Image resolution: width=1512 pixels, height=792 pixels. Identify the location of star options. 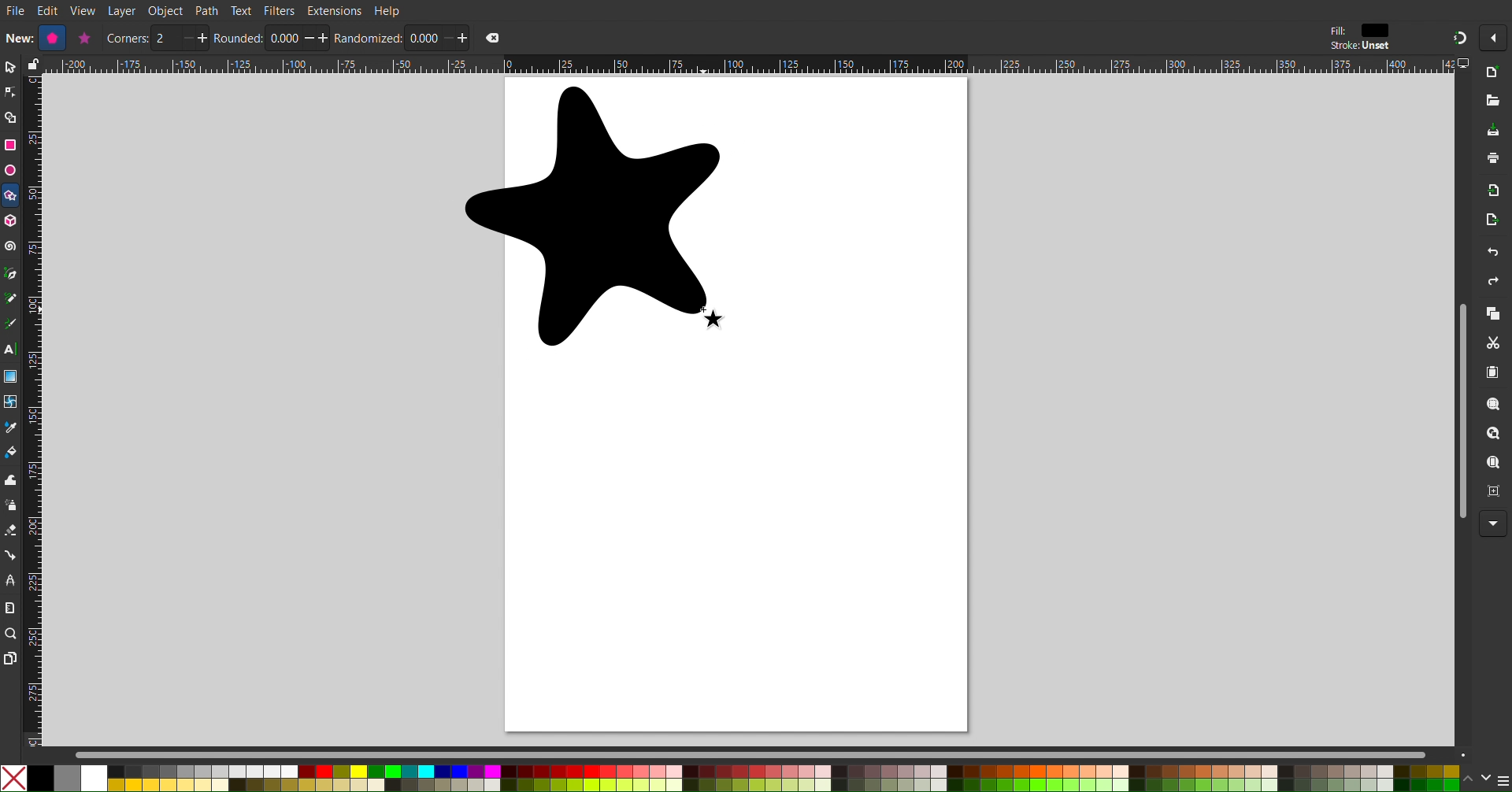
(50, 38).